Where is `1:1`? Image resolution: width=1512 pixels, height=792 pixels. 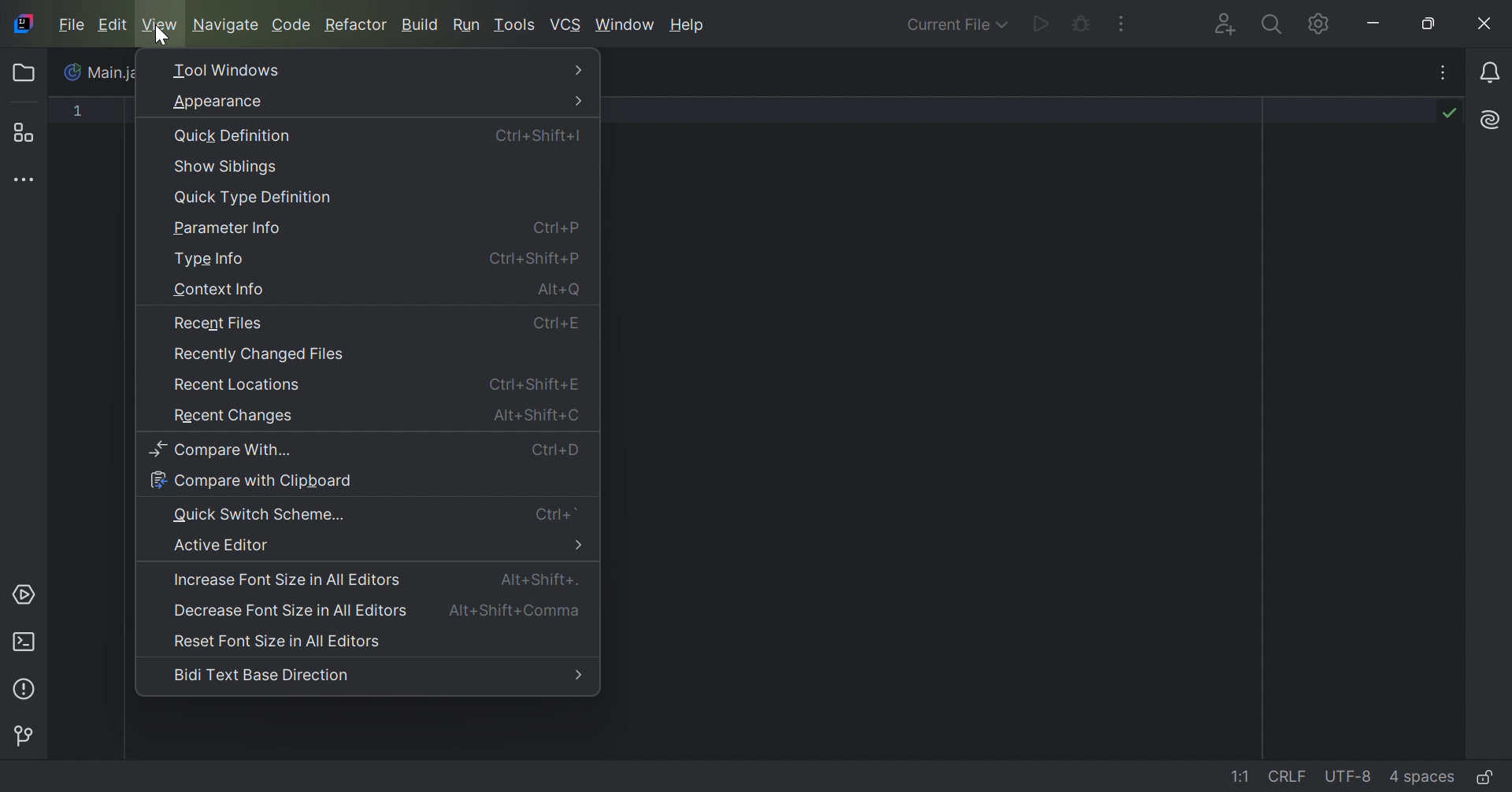
1:1 is located at coordinates (1243, 777).